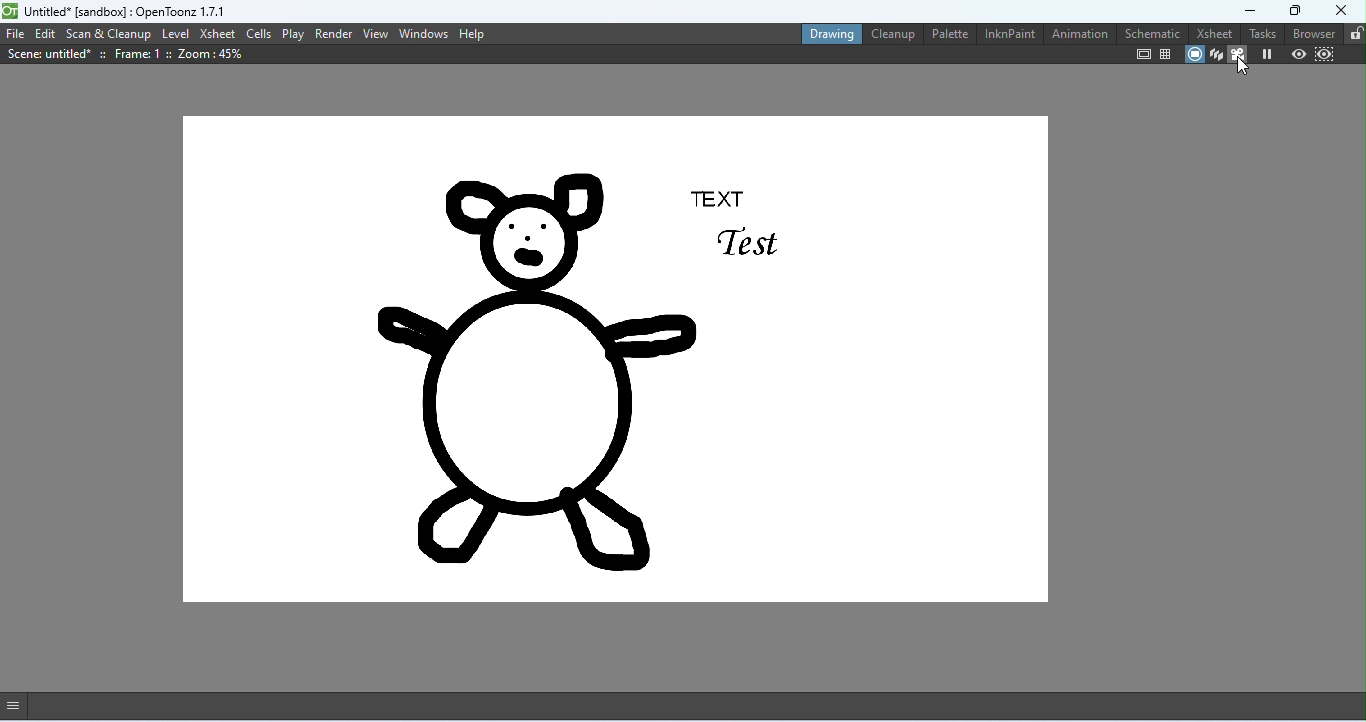 This screenshot has height=722, width=1366. I want to click on scene details, so click(125, 55).